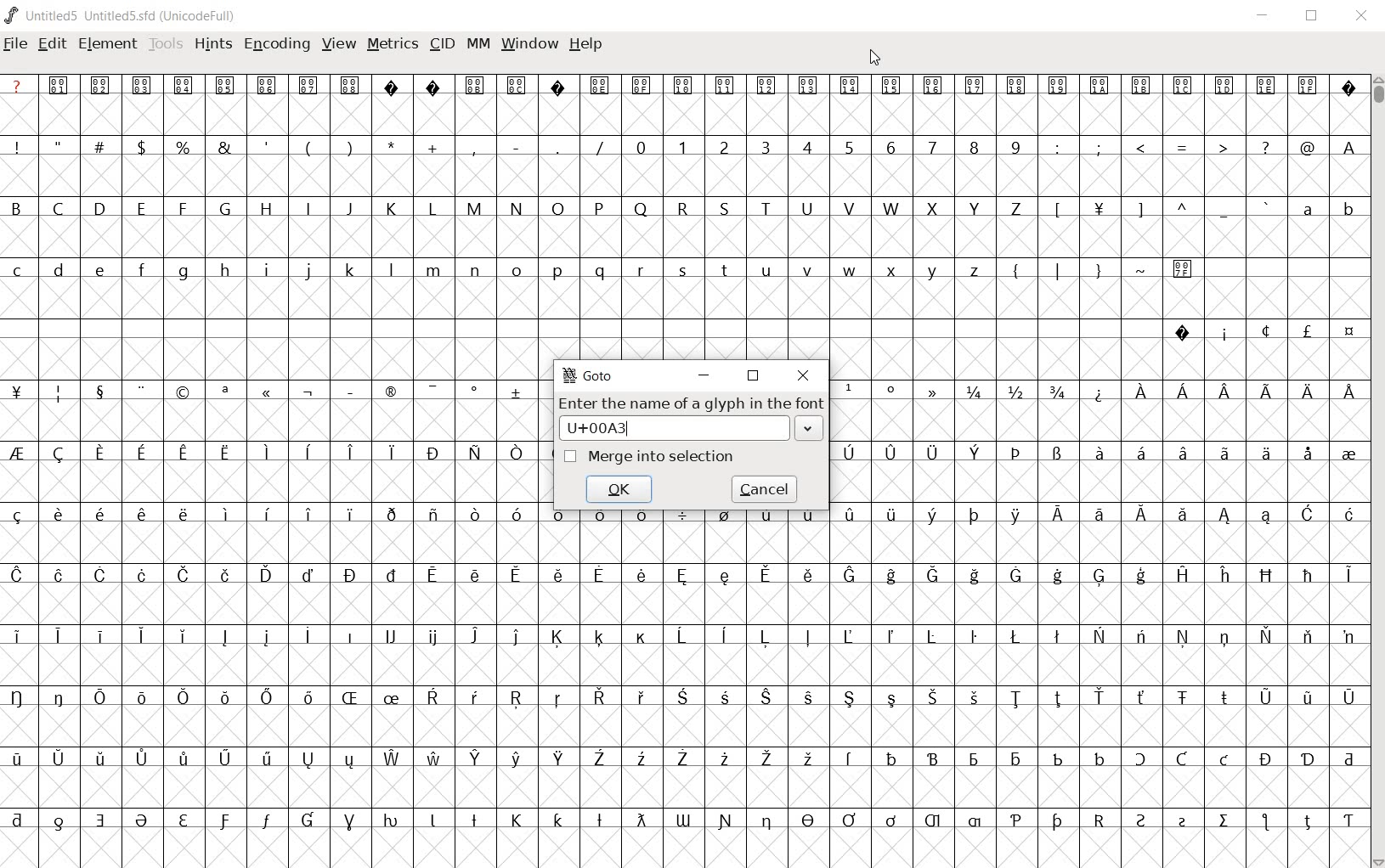  Describe the element at coordinates (392, 759) in the screenshot. I see `Symbol` at that location.